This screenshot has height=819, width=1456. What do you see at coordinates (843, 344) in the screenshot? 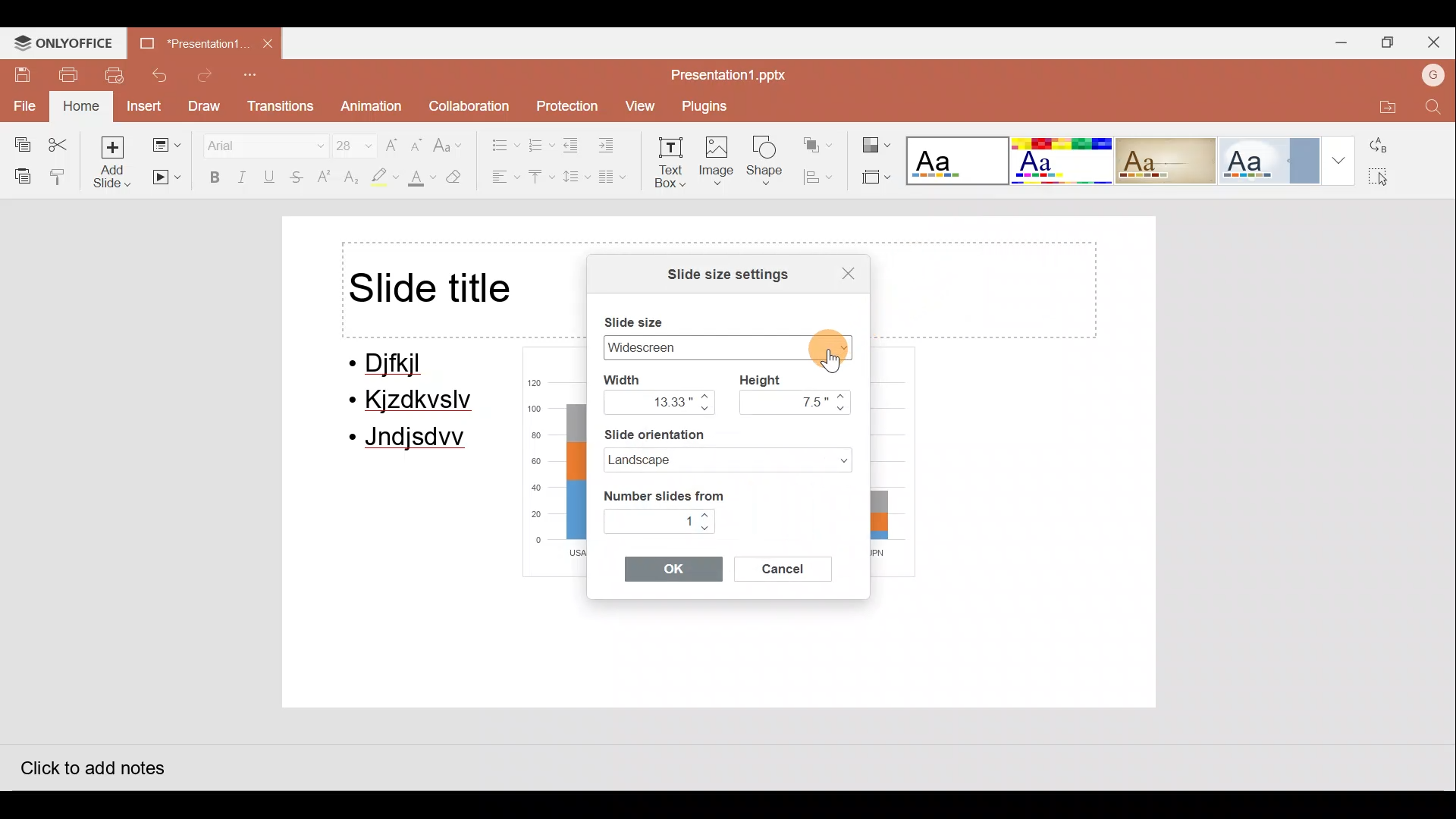
I see `Cursor on slide size drop down` at bounding box center [843, 344].